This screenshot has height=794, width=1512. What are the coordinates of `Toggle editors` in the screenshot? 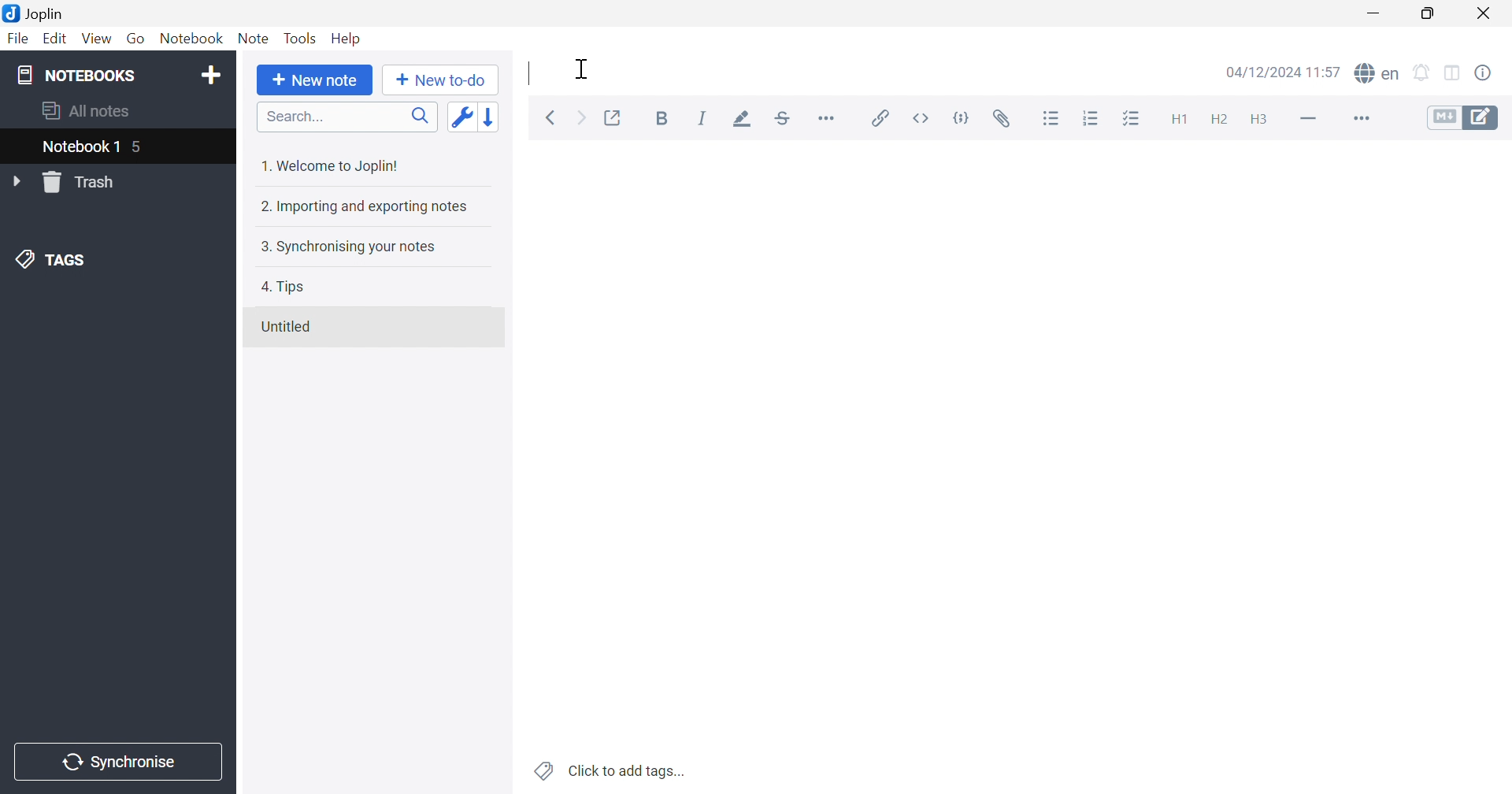 It's located at (1466, 119).